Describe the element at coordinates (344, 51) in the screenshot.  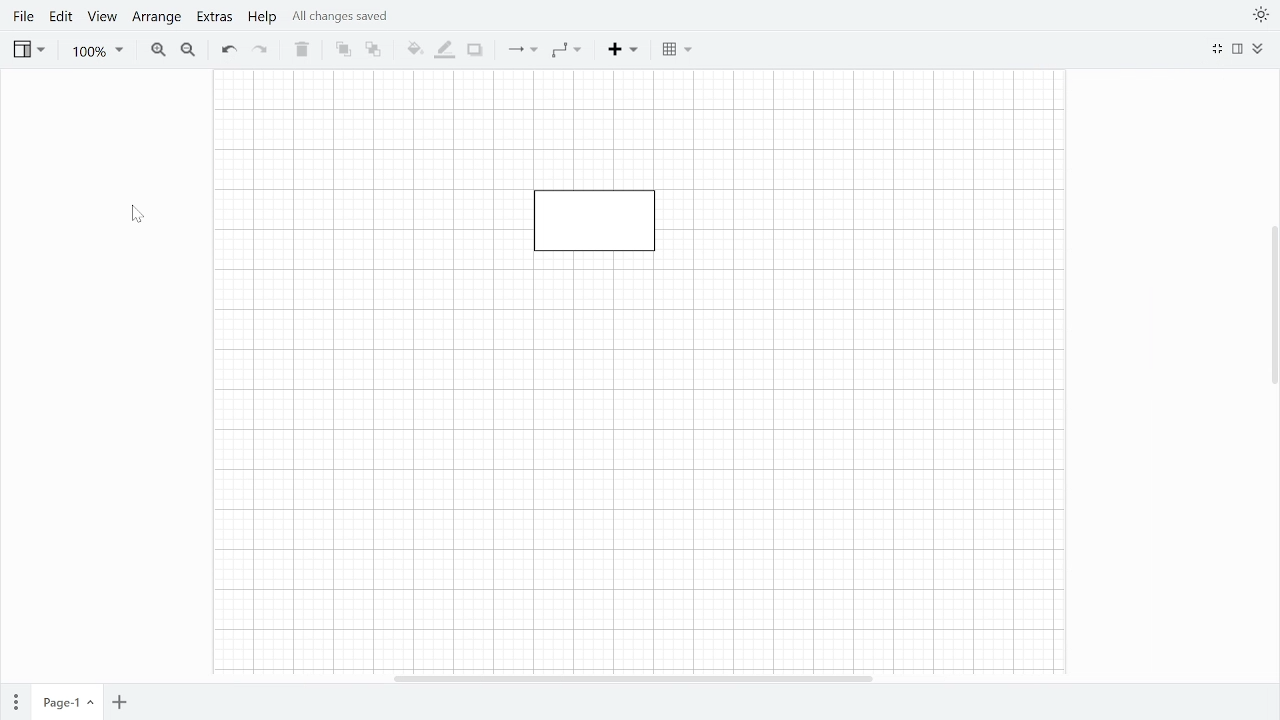
I see `To front` at that location.